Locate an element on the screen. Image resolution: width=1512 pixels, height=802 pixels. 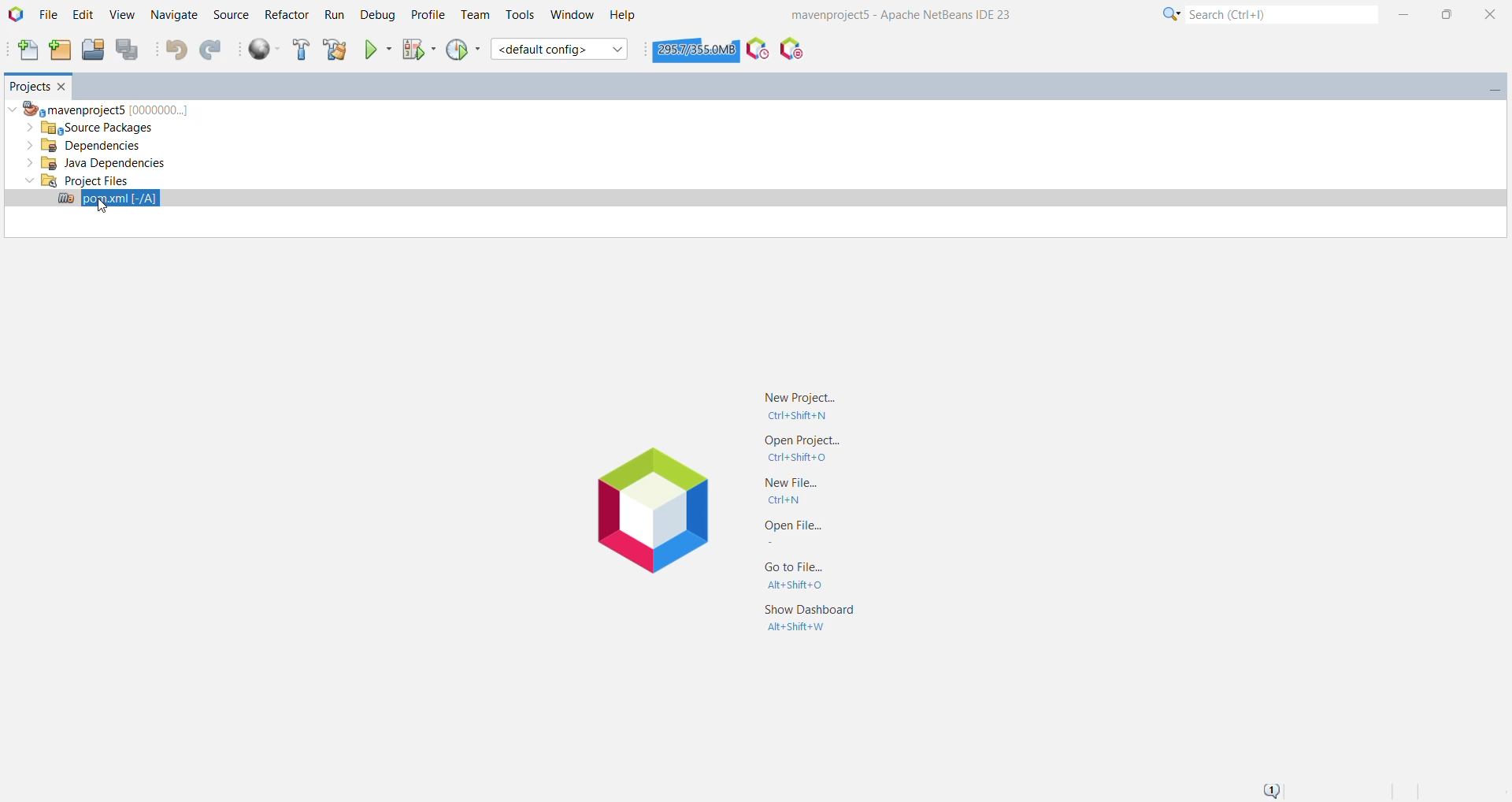
Application Logo is located at coordinates (653, 514).